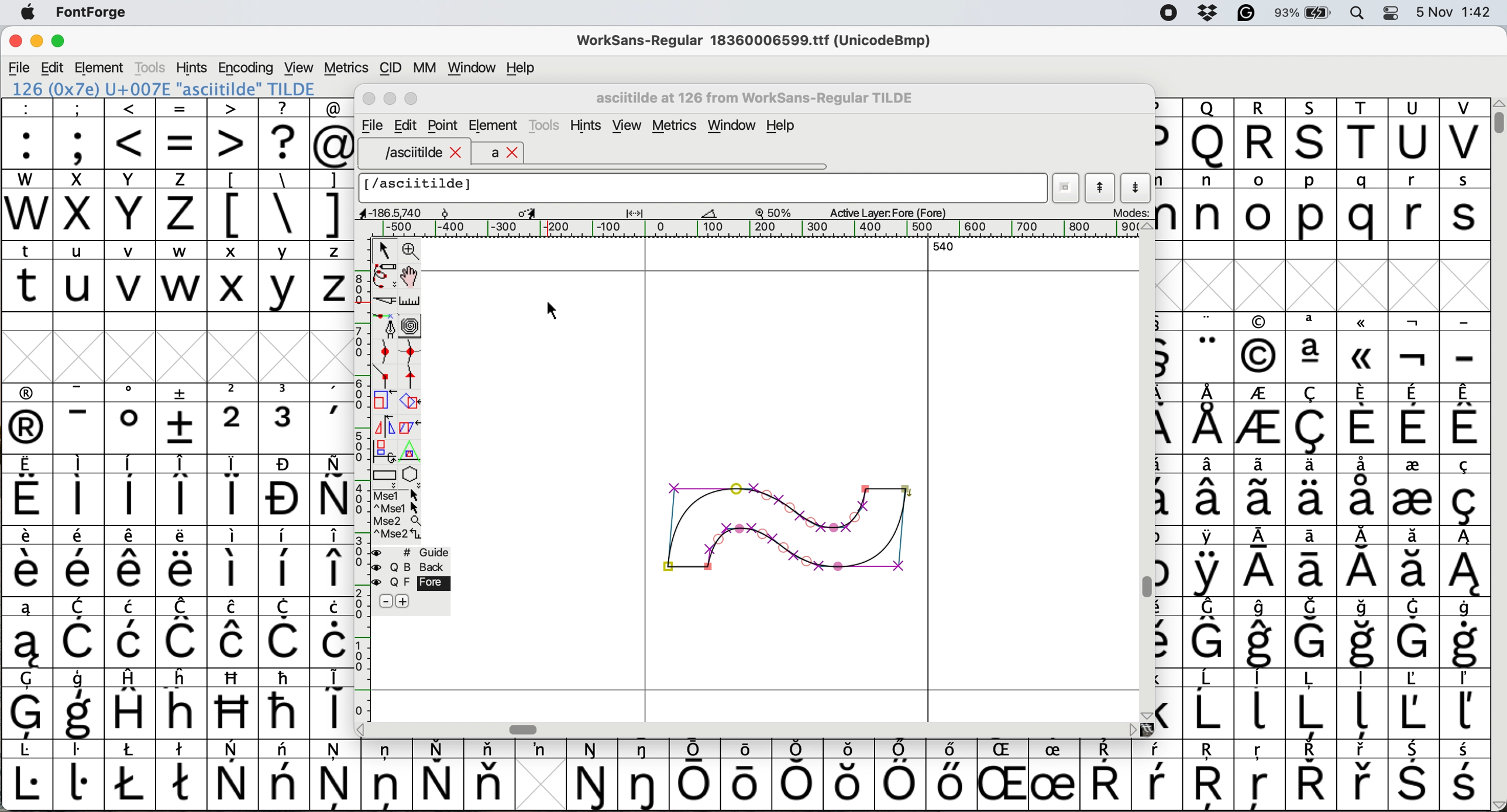  Describe the element at coordinates (413, 376) in the screenshot. I see `add a tangent point` at that location.